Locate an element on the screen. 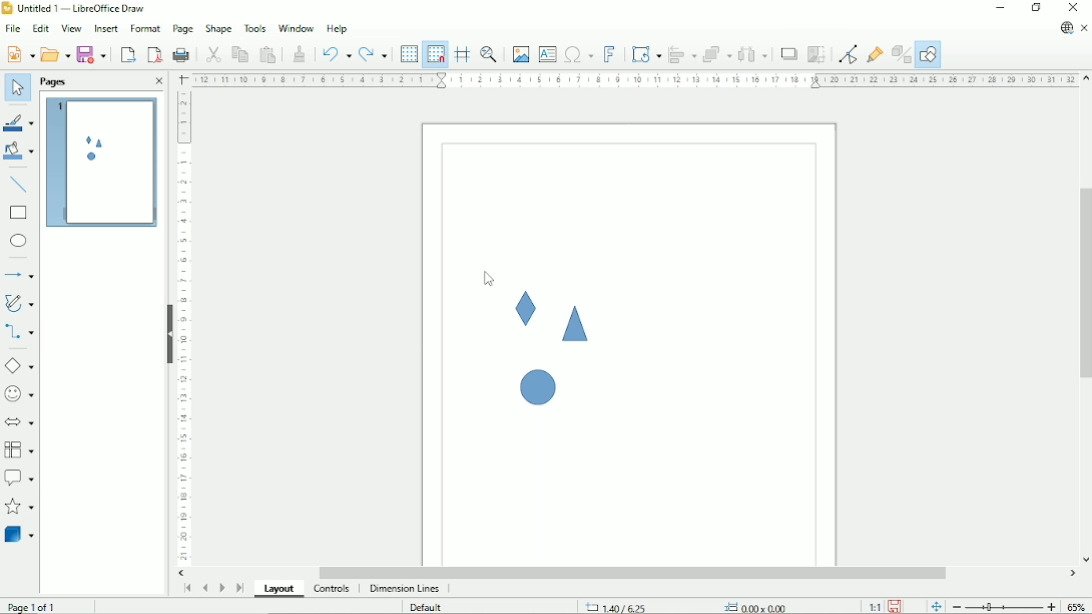 Image resolution: width=1092 pixels, height=614 pixels. Close document is located at coordinates (1084, 28).